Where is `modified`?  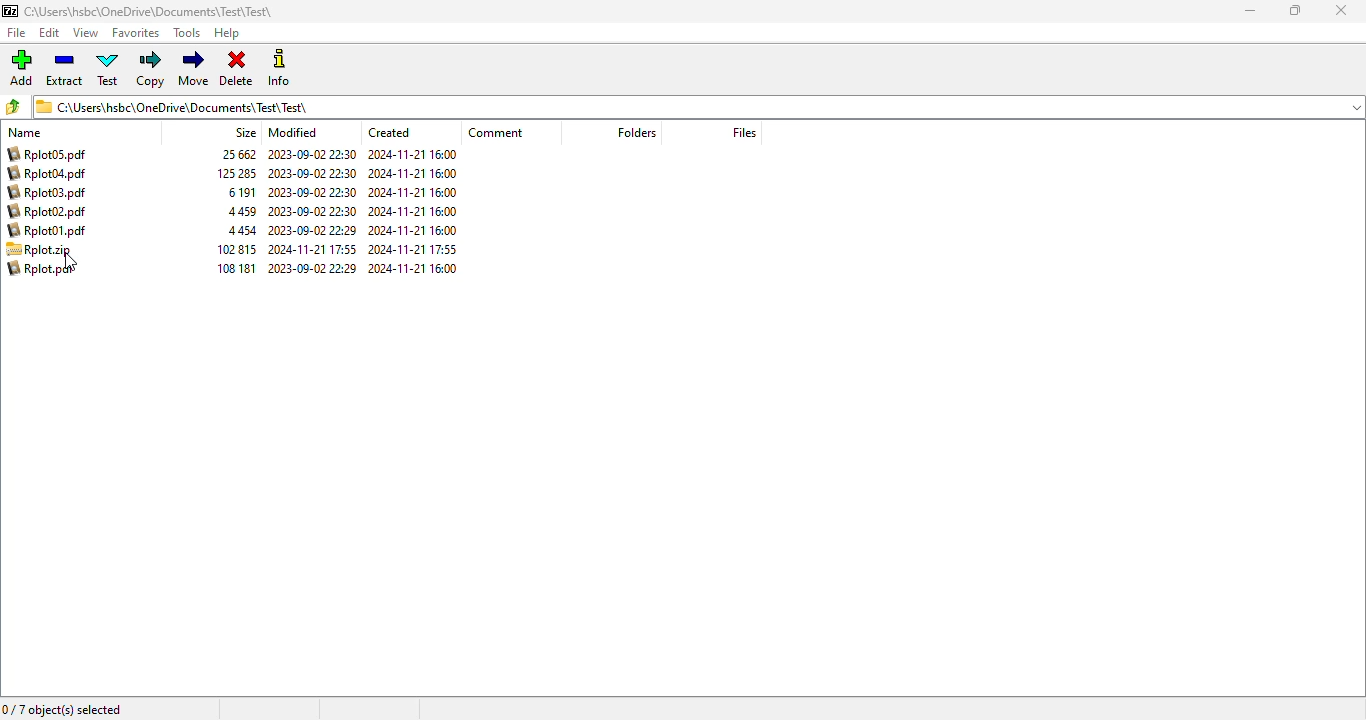
modified is located at coordinates (292, 132).